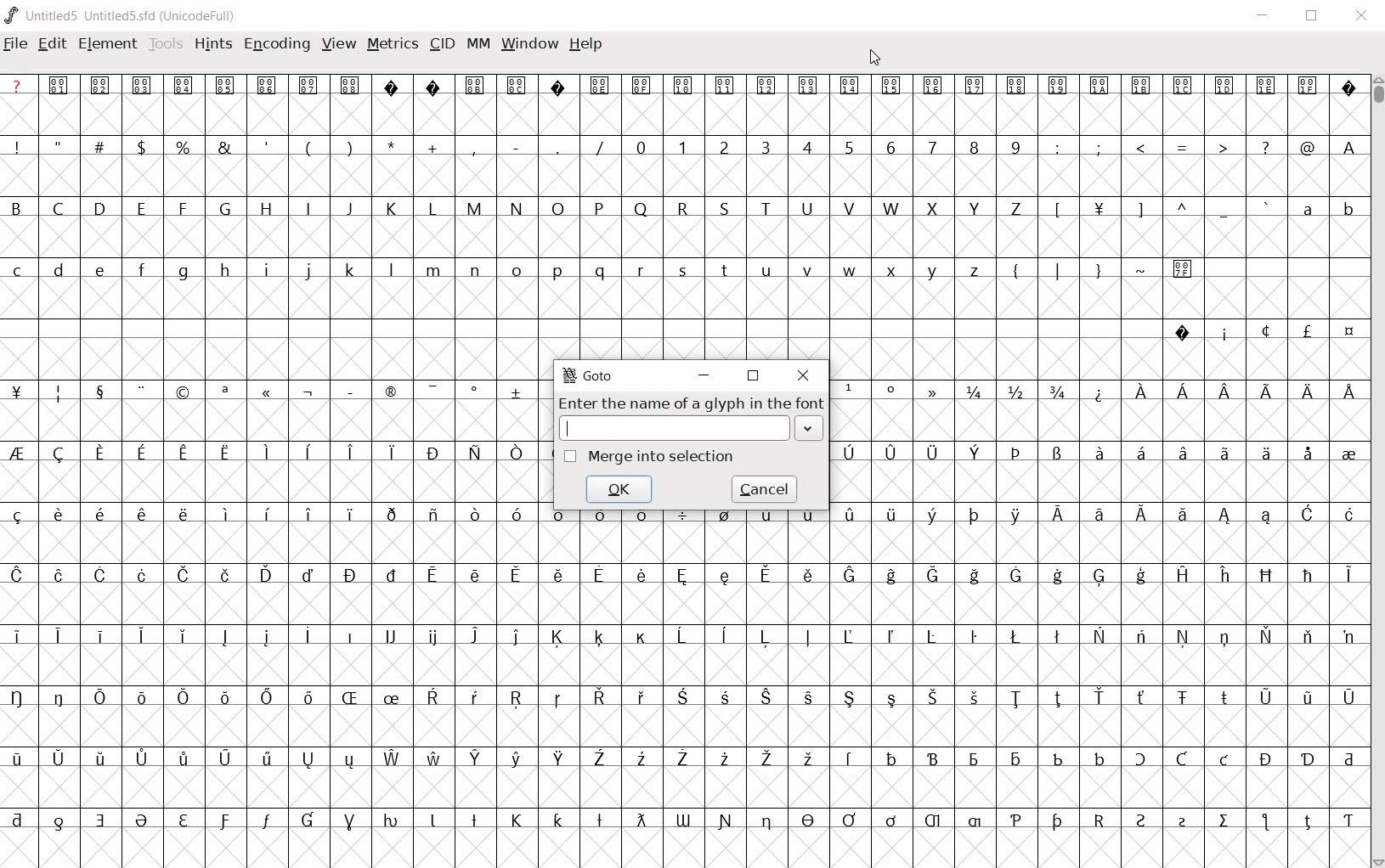  Describe the element at coordinates (1265, 454) in the screenshot. I see `Symbol` at that location.